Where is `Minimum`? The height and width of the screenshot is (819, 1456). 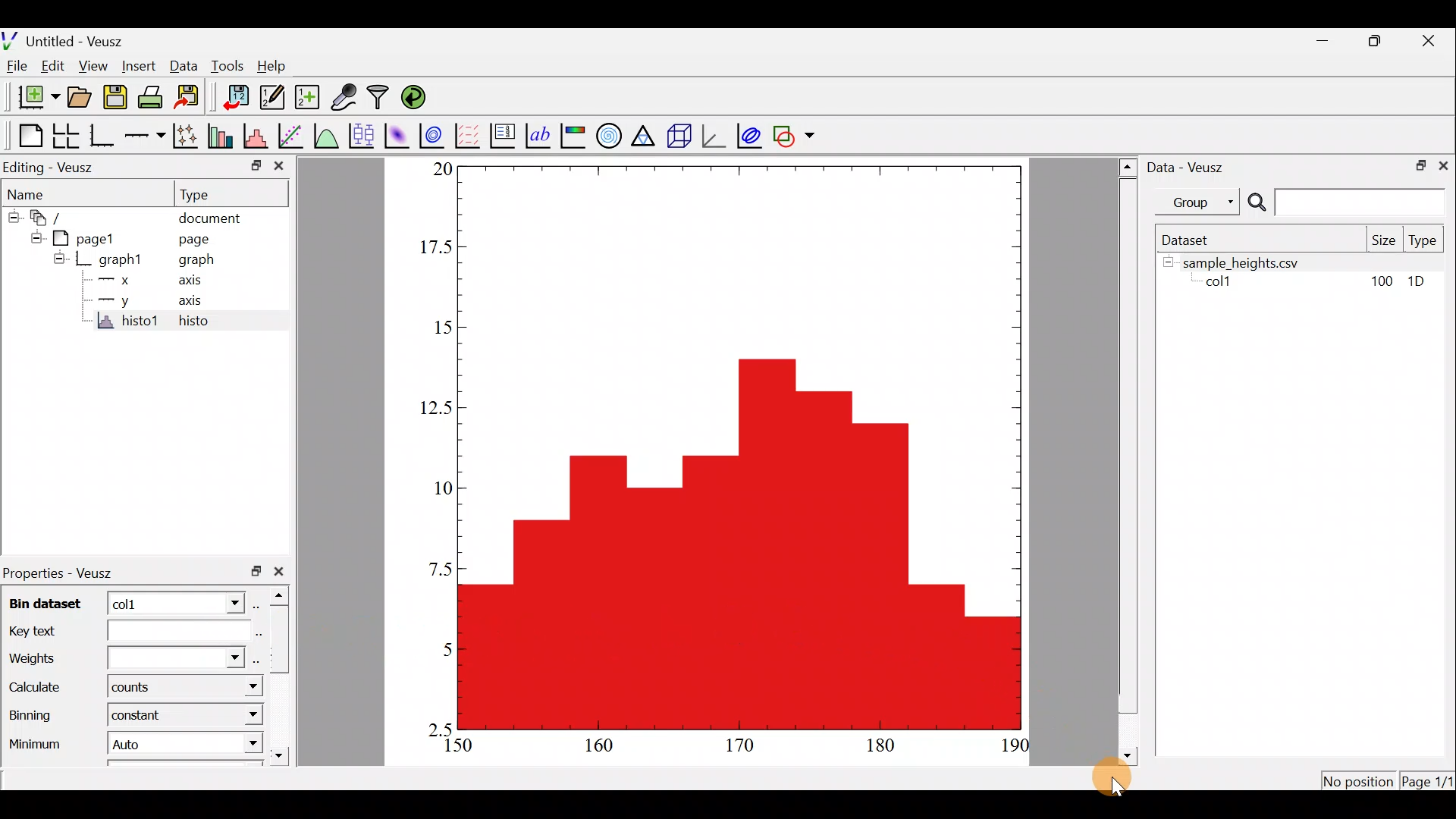
Minimum is located at coordinates (37, 739).